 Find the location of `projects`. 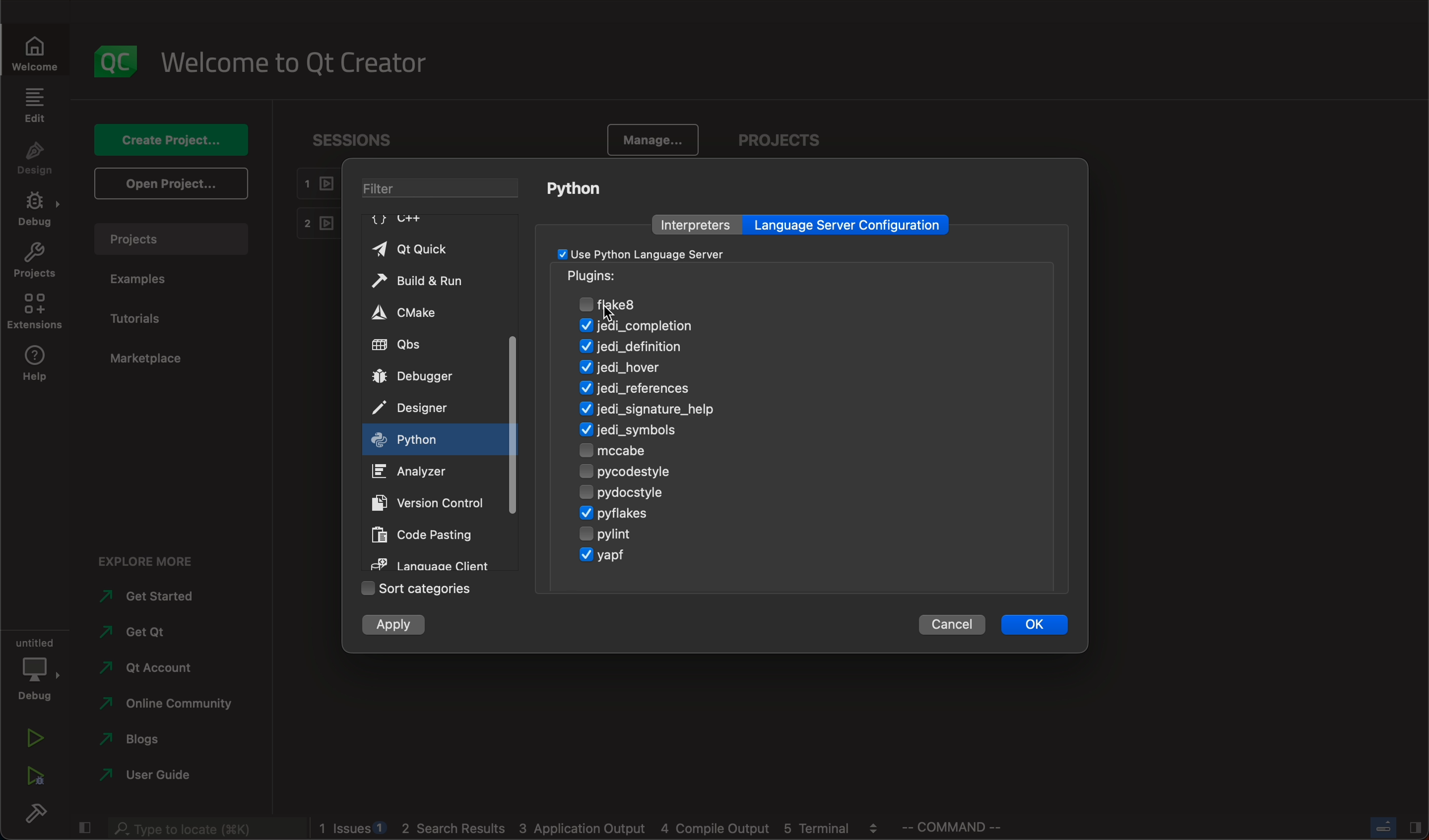

projects is located at coordinates (171, 239).